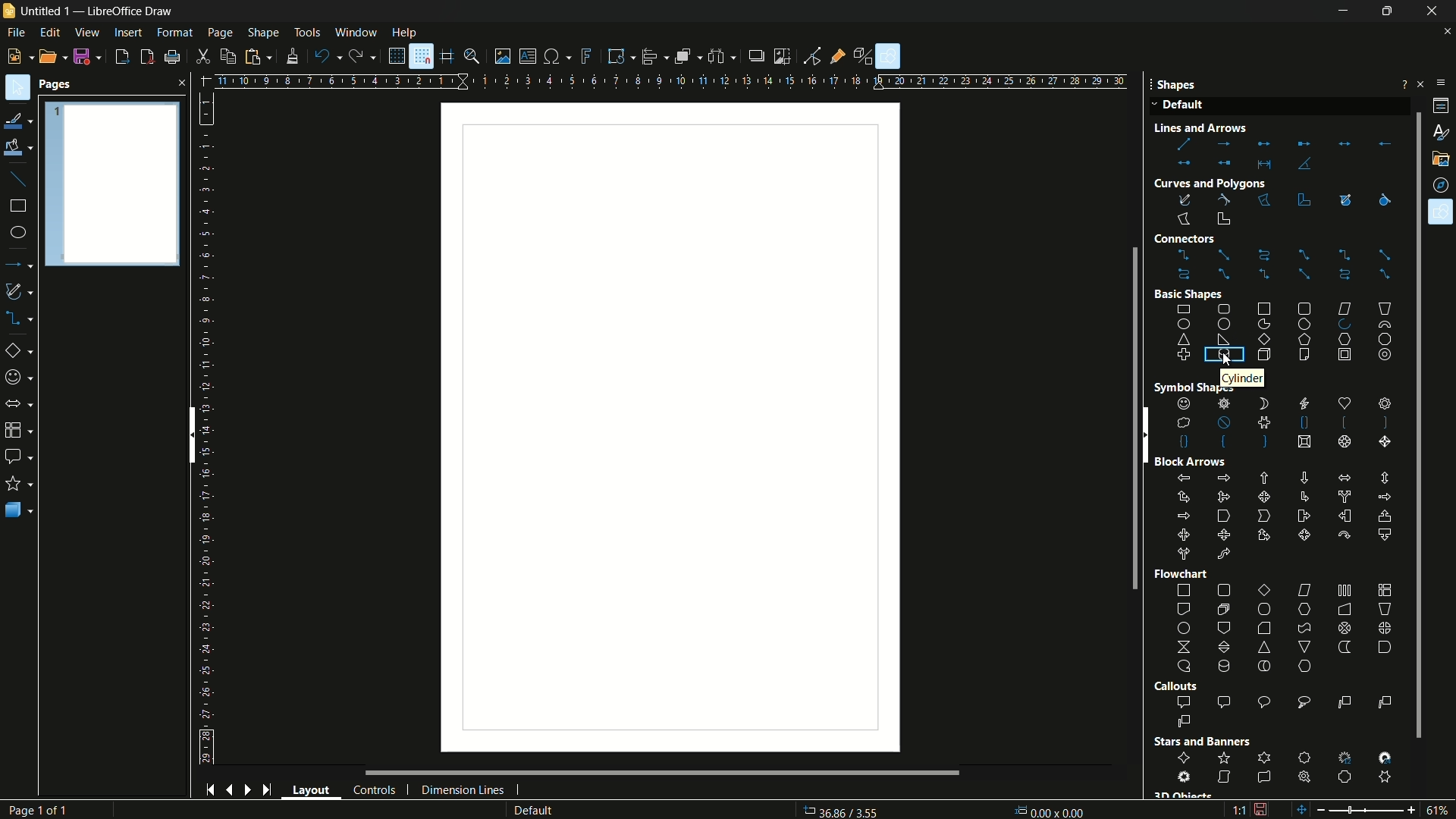  What do you see at coordinates (1442, 219) in the screenshot?
I see `Cursor` at bounding box center [1442, 219].